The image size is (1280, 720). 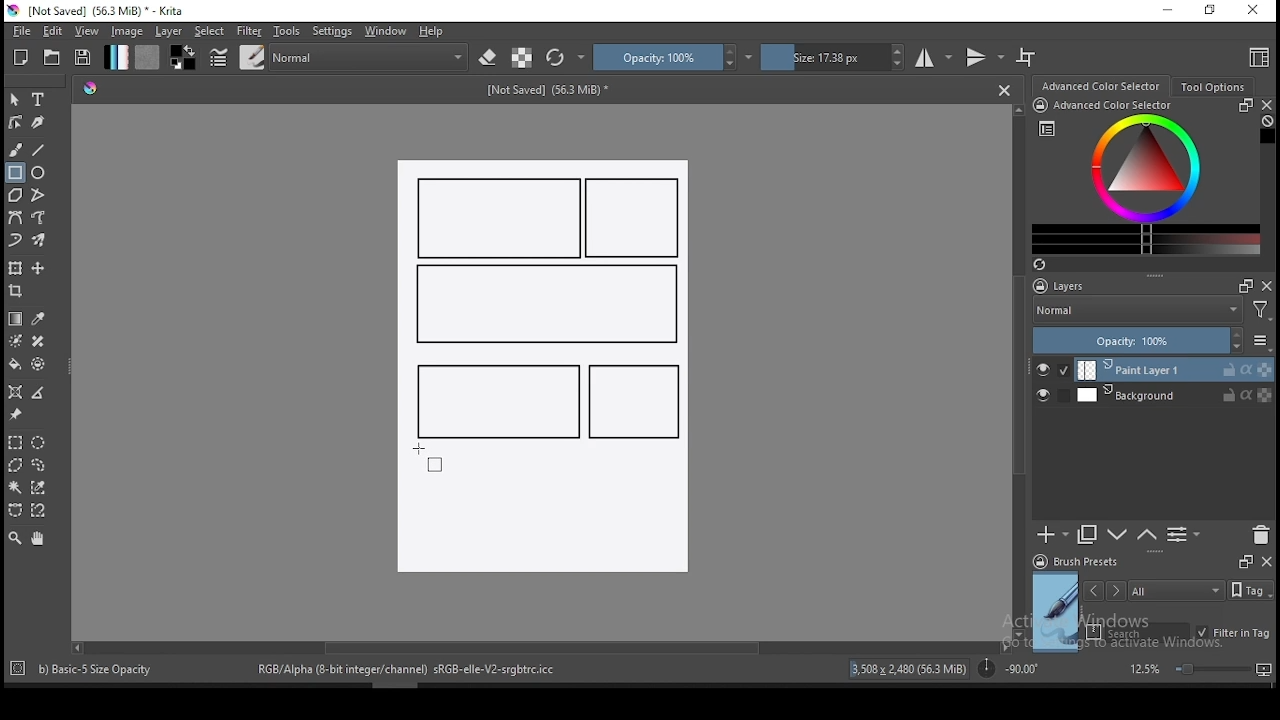 I want to click on duplicate layer, so click(x=1088, y=534).